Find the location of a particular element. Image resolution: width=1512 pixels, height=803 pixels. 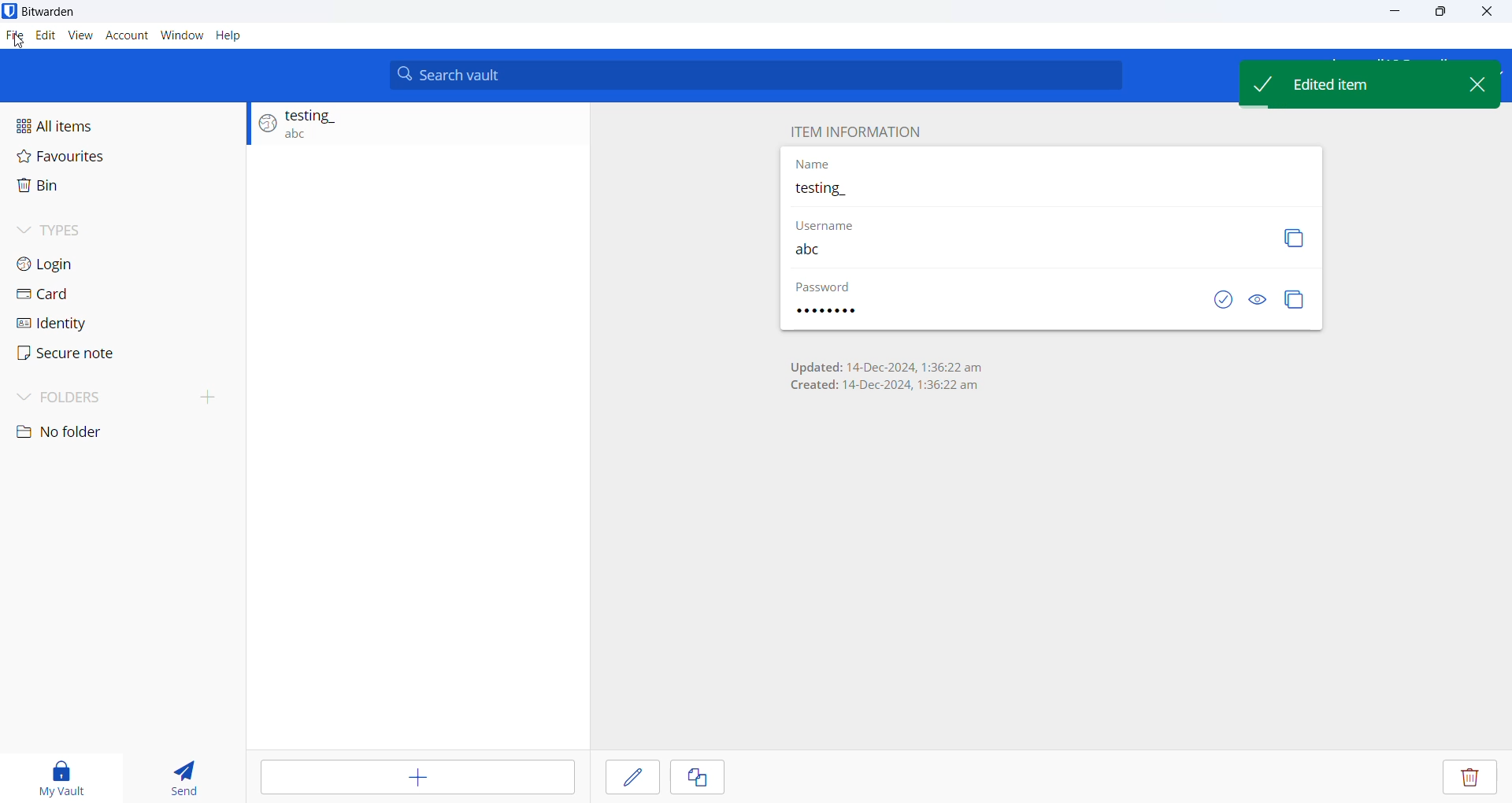

maximise is located at coordinates (1442, 15).